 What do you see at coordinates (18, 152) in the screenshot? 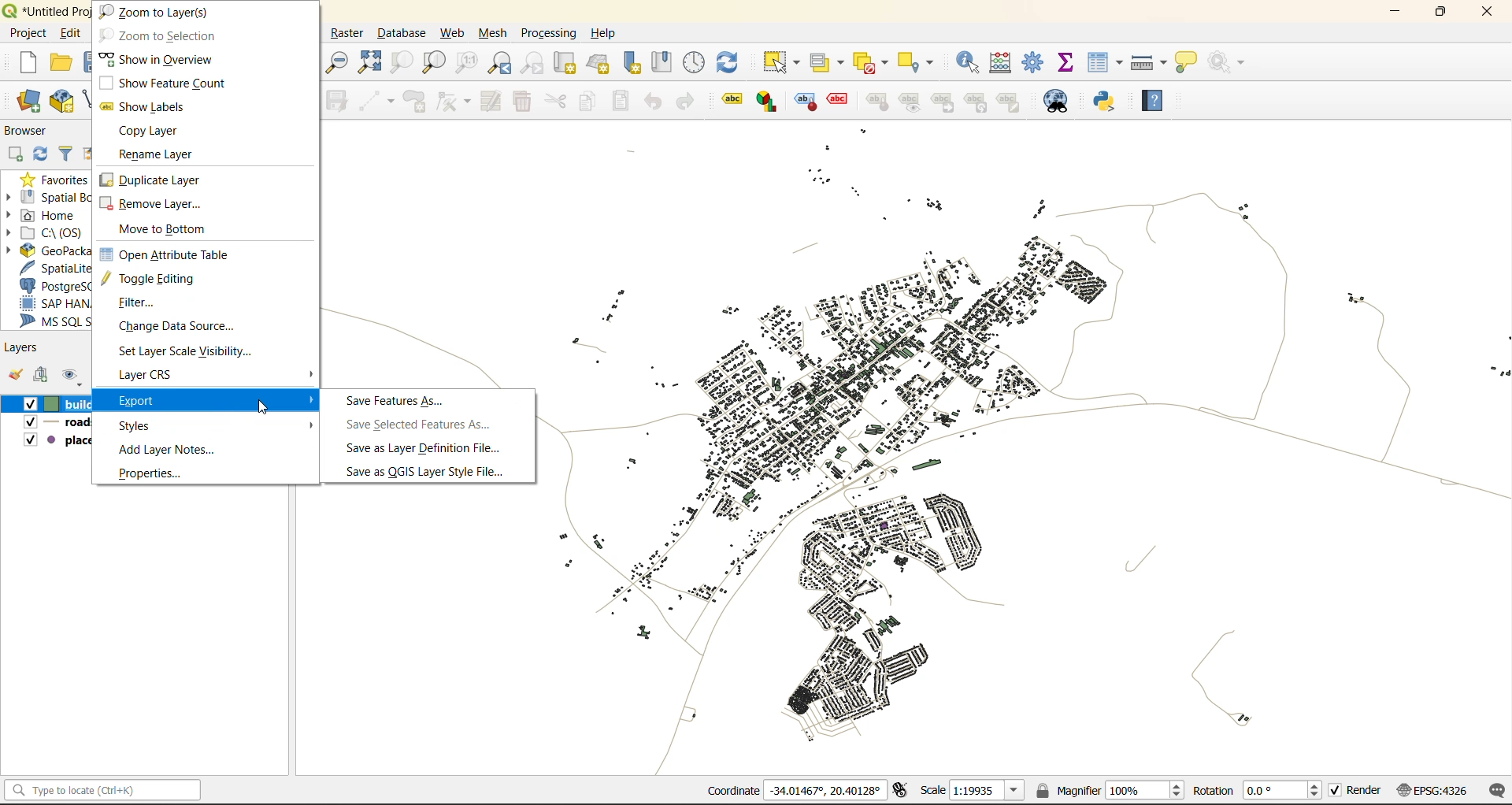
I see `add` at bounding box center [18, 152].